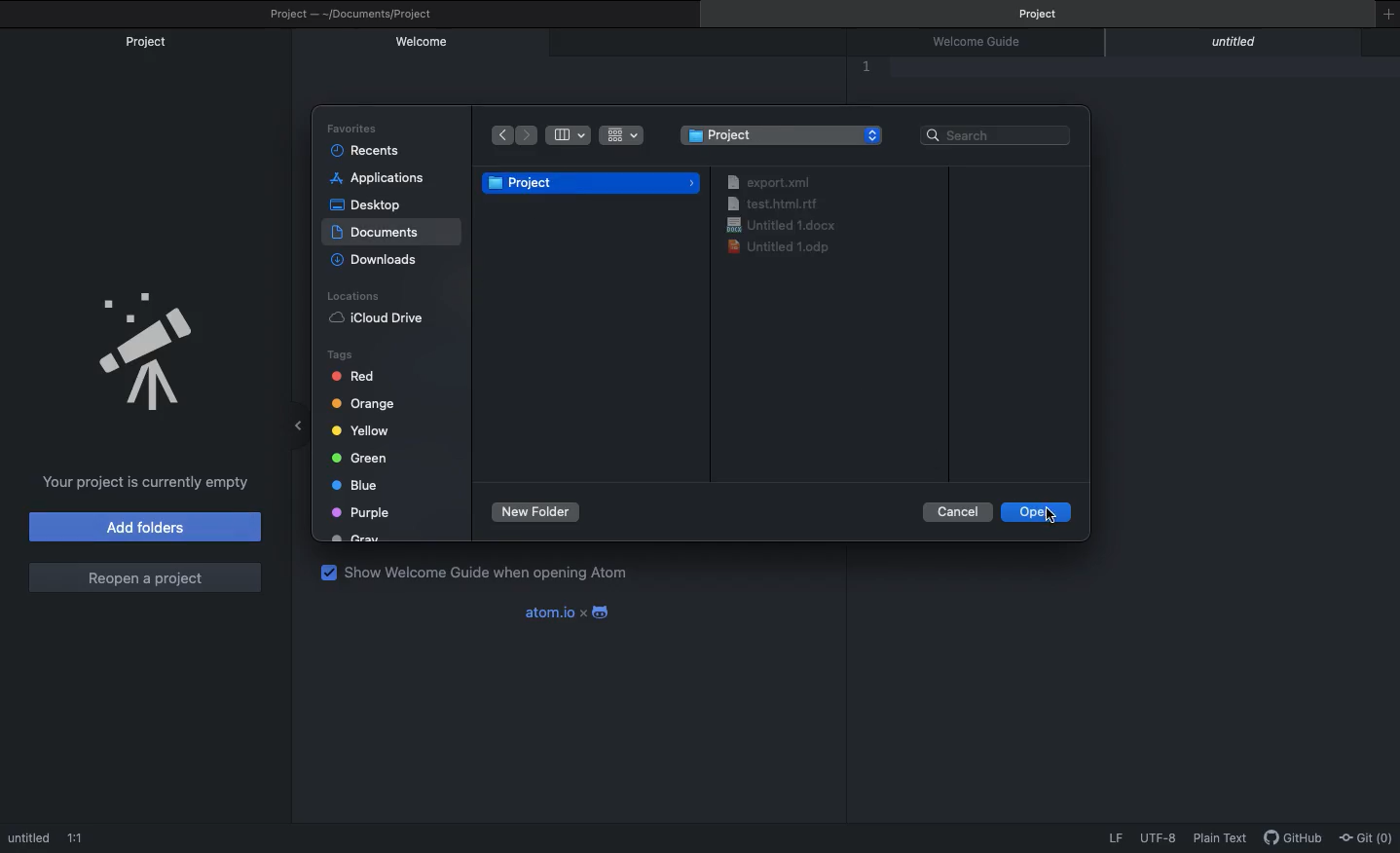 The width and height of the screenshot is (1400, 853). What do you see at coordinates (574, 612) in the screenshot?
I see `Atom x android ` at bounding box center [574, 612].